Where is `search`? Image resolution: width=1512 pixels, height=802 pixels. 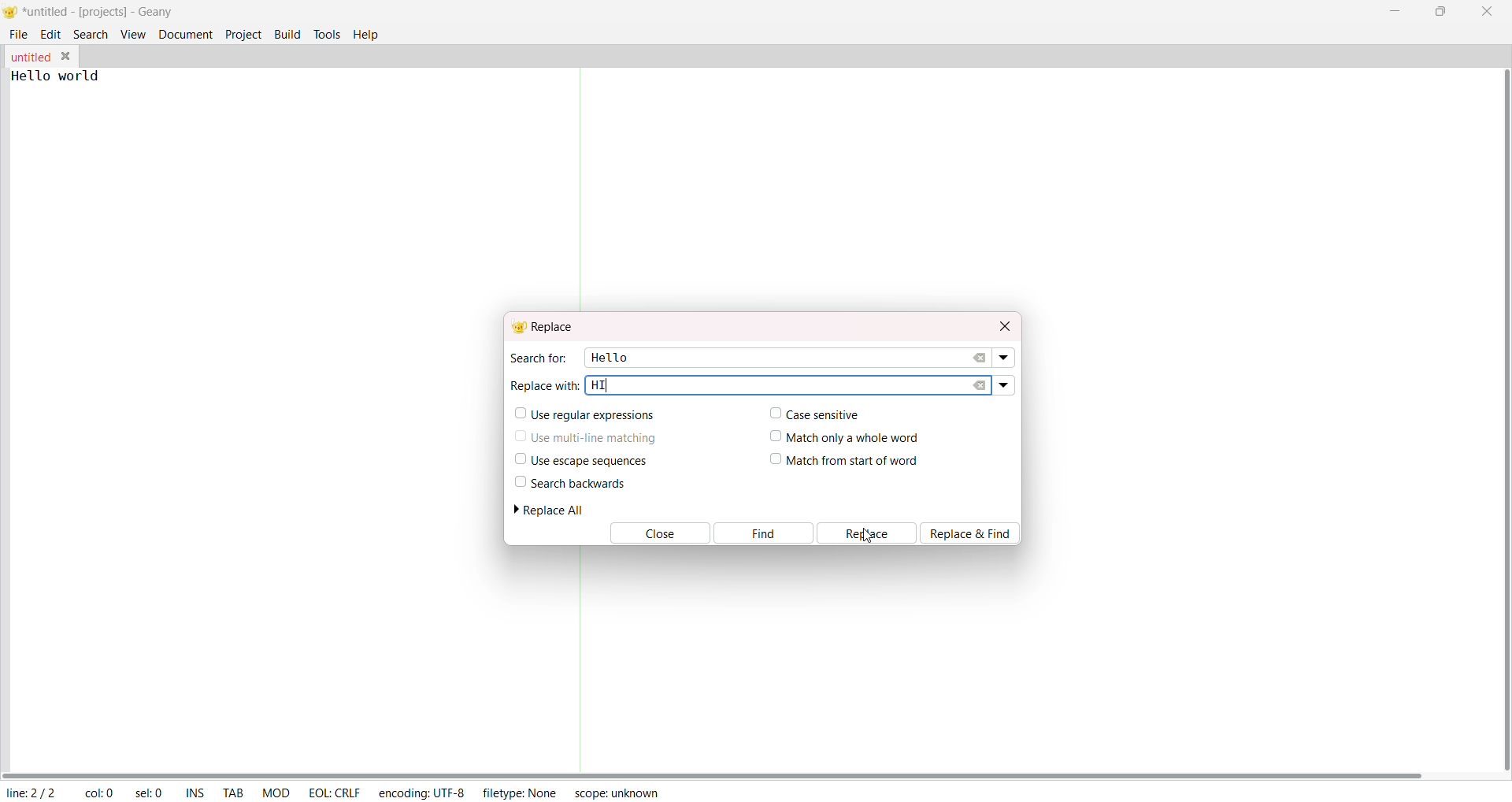 search is located at coordinates (91, 33).